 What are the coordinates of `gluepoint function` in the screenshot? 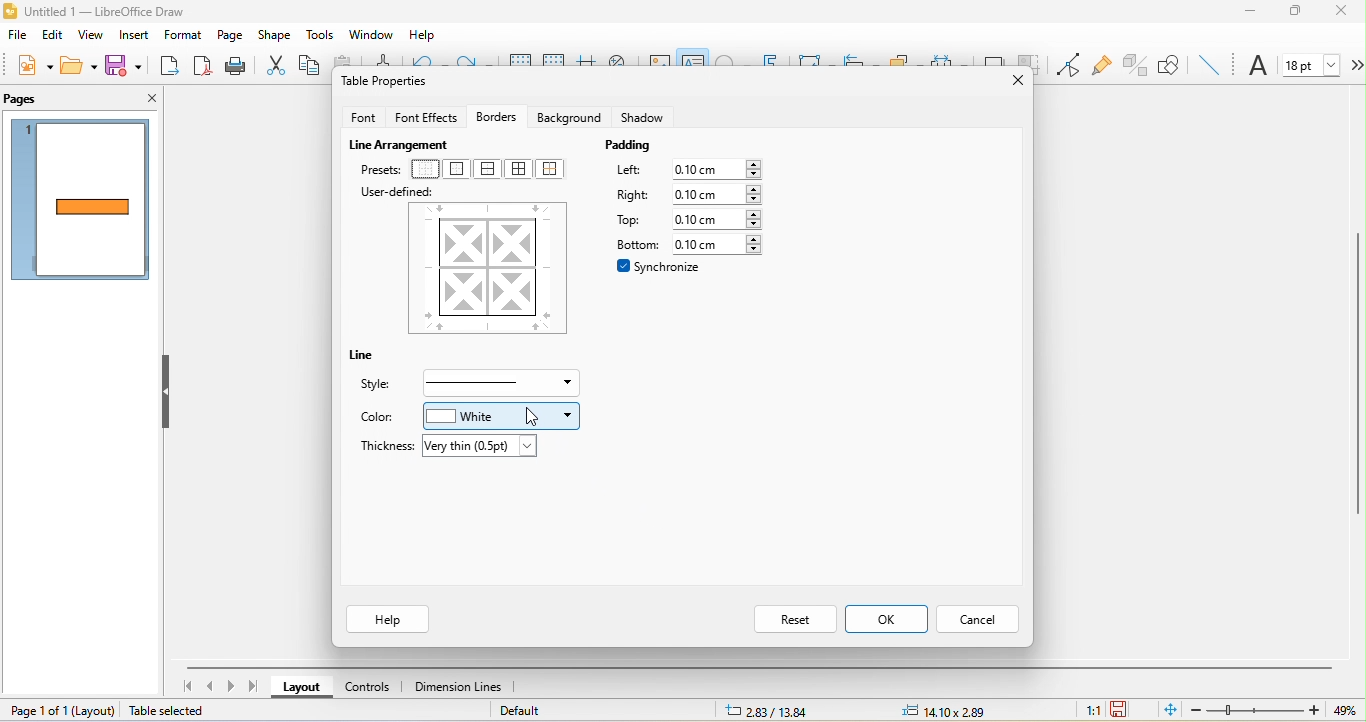 It's located at (1104, 64).